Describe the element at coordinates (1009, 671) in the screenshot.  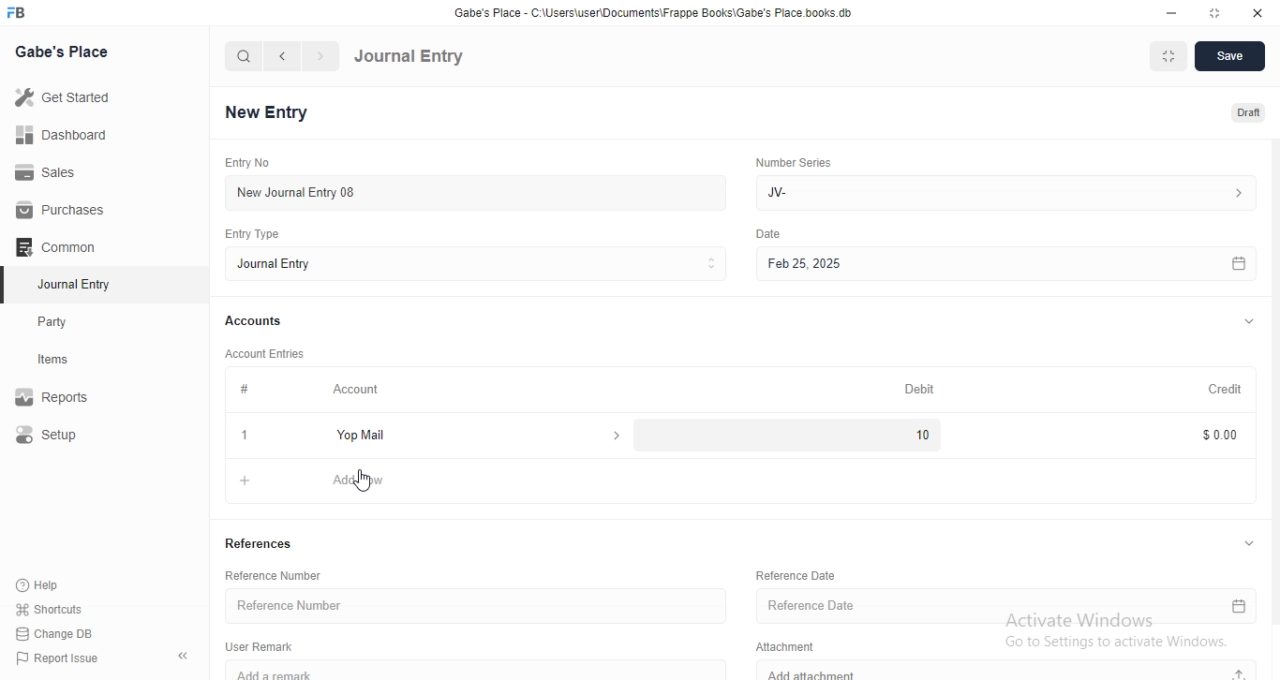
I see `Add attachment` at that location.